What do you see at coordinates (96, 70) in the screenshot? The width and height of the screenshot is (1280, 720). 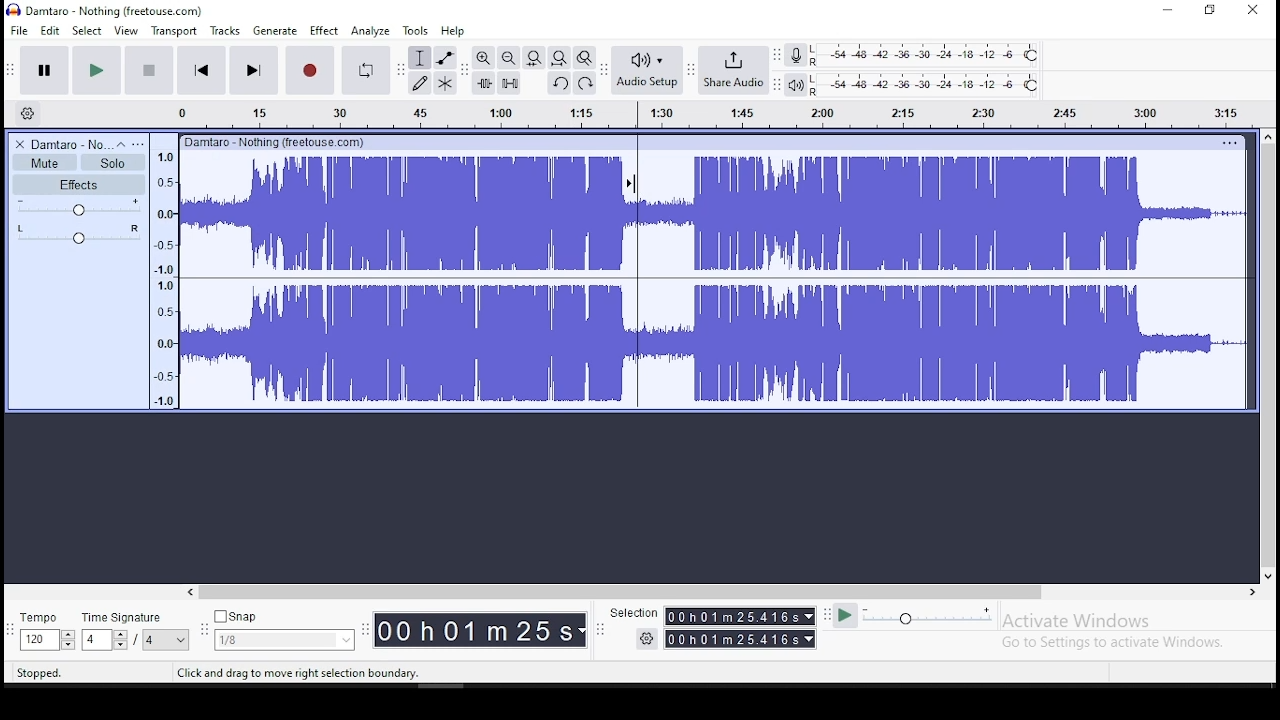 I see `play` at bounding box center [96, 70].